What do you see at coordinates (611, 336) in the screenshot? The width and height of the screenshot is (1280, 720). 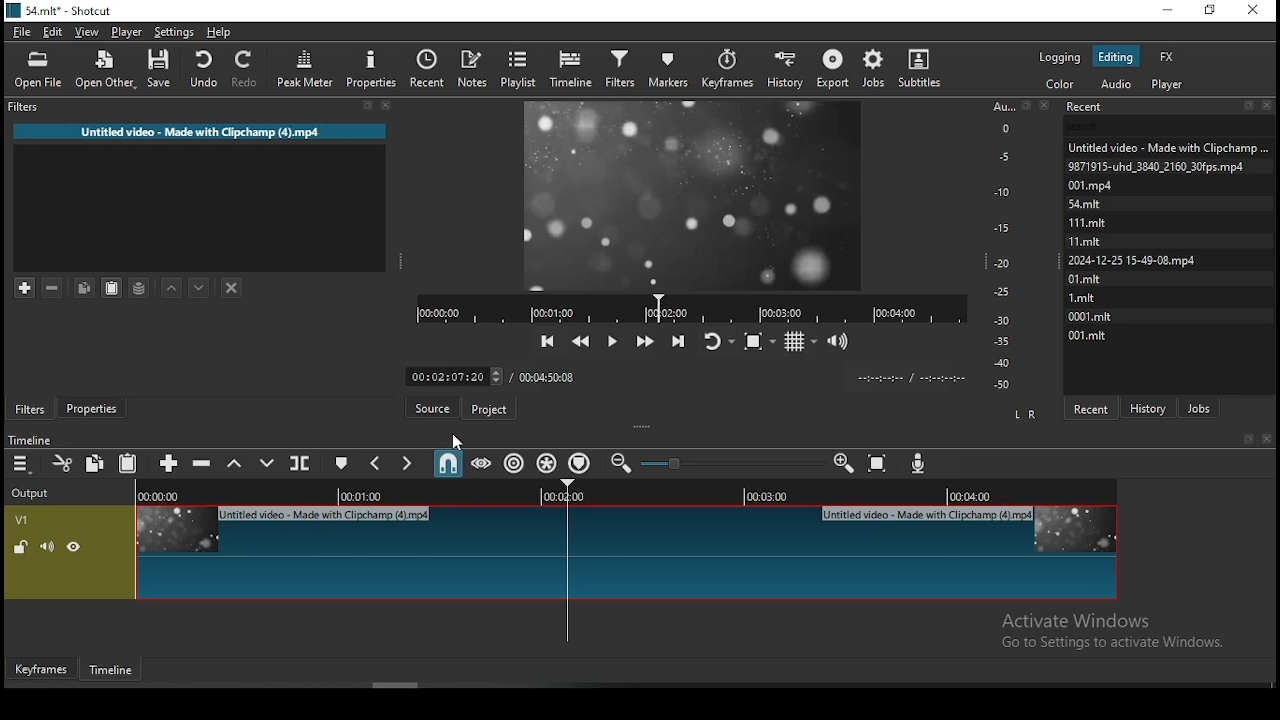 I see `play/pause` at bounding box center [611, 336].